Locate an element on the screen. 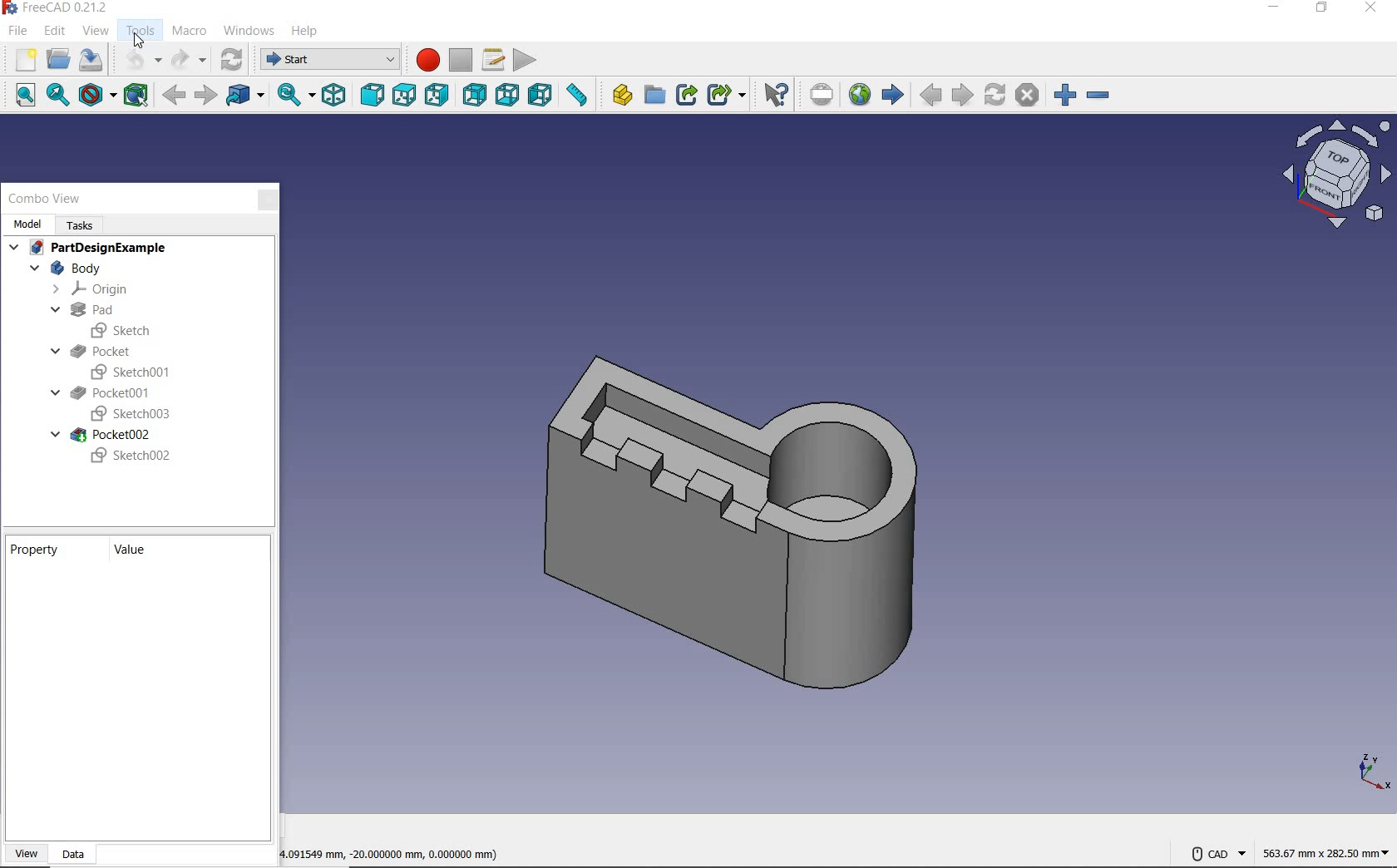 The height and width of the screenshot is (868, 1397). Stop loading is located at coordinates (1029, 92).